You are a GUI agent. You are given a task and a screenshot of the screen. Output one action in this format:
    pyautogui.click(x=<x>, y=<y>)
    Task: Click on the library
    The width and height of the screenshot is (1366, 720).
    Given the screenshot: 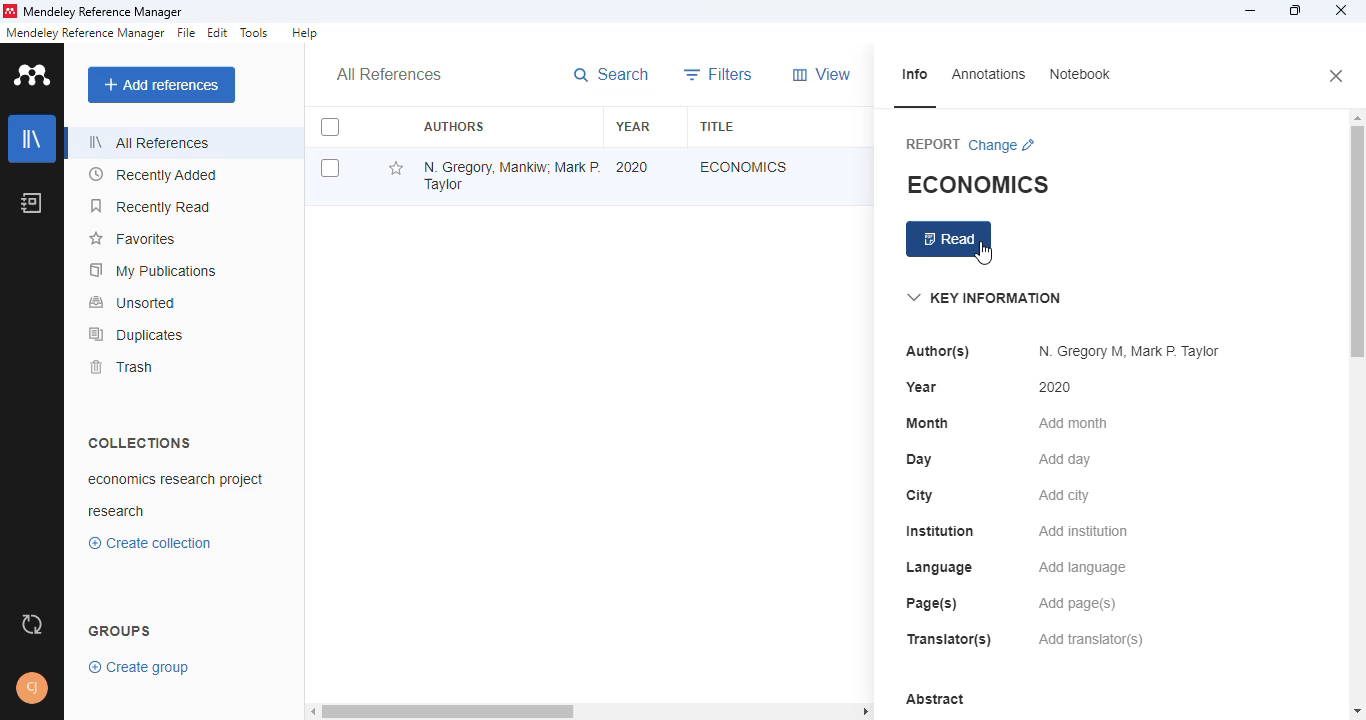 What is the action you would take?
    pyautogui.click(x=32, y=138)
    